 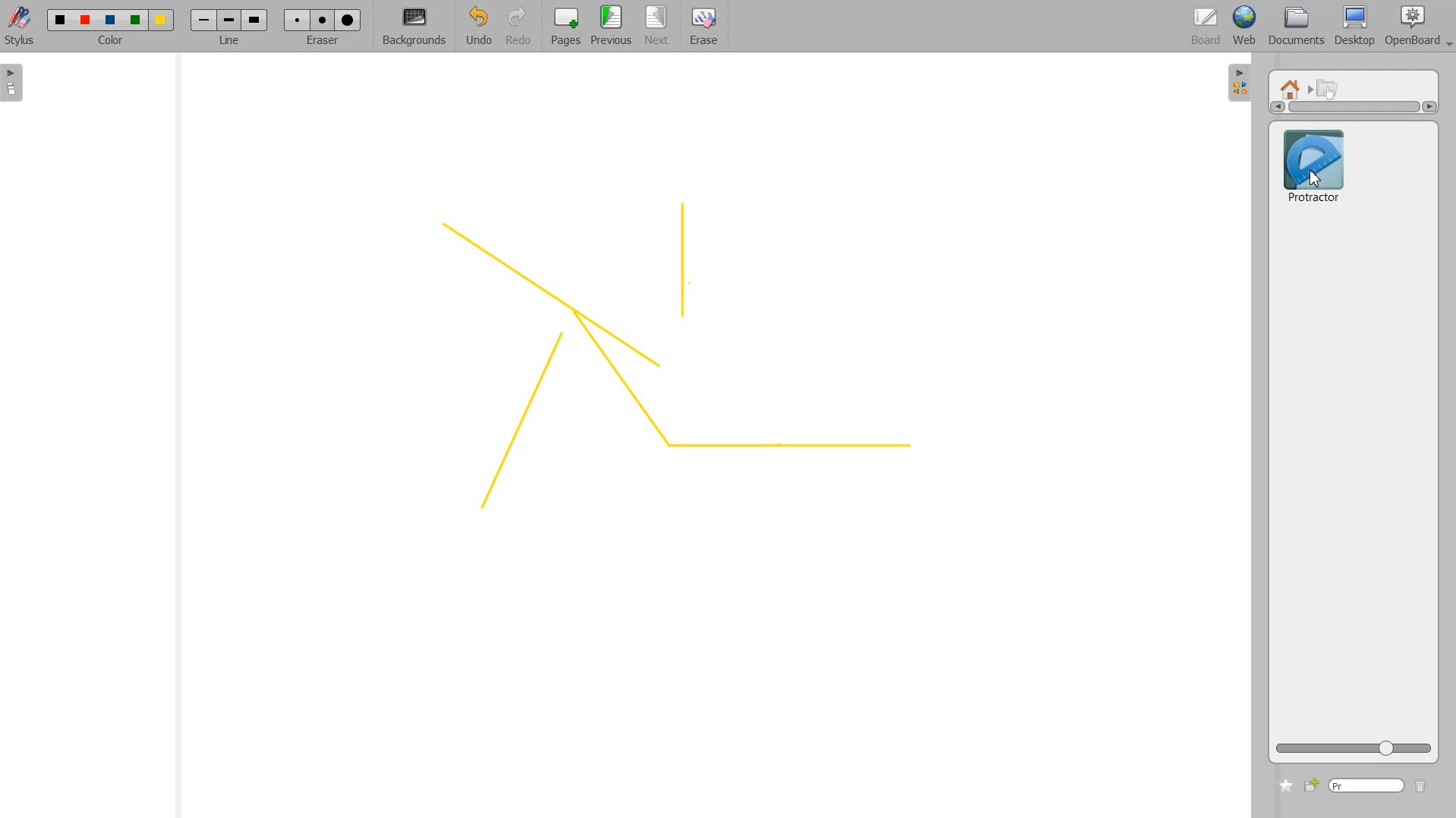 What do you see at coordinates (1328, 88) in the screenshot?
I see `Interactive` at bounding box center [1328, 88].